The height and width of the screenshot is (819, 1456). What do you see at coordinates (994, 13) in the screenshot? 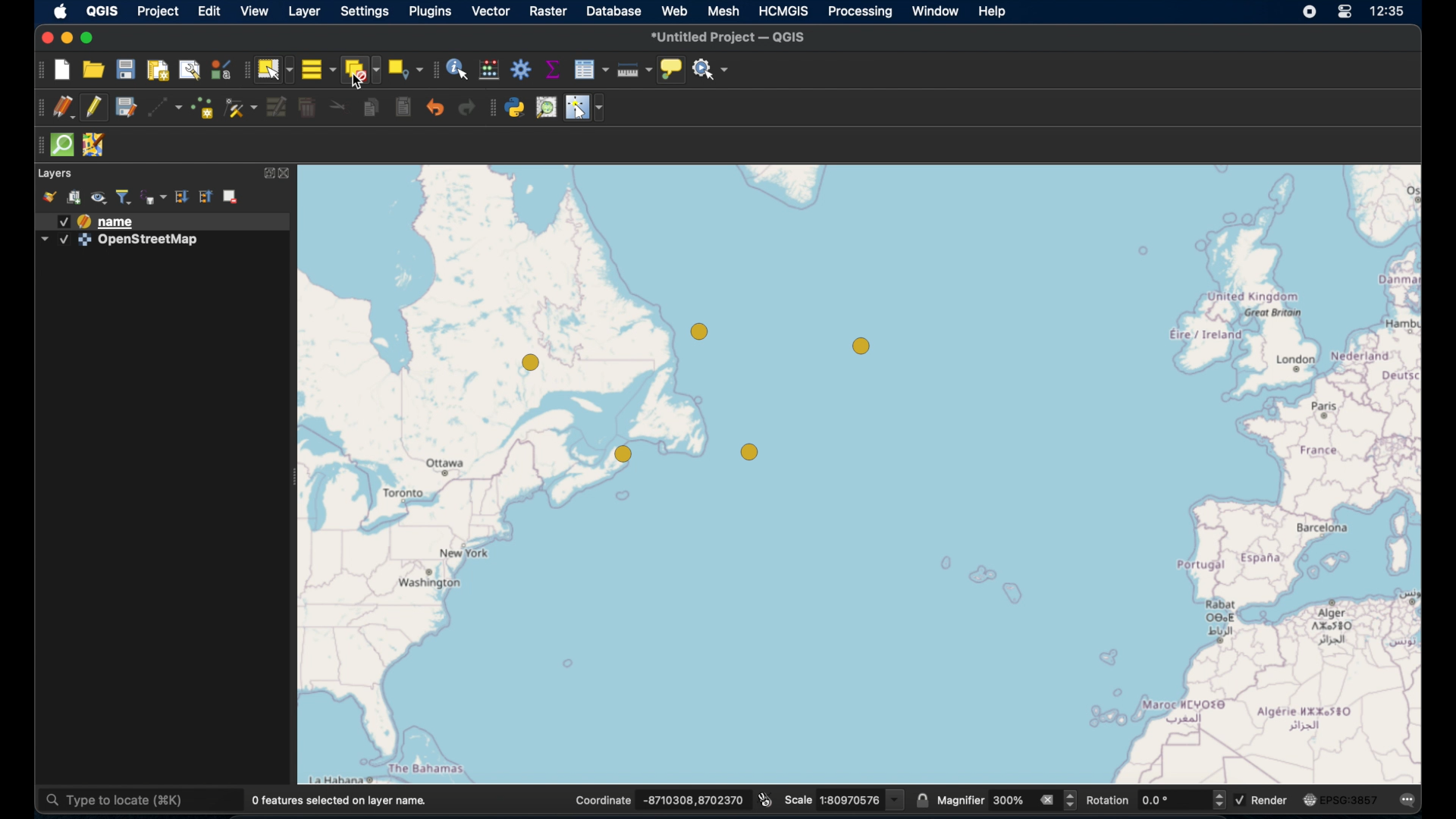
I see `help` at bounding box center [994, 13].